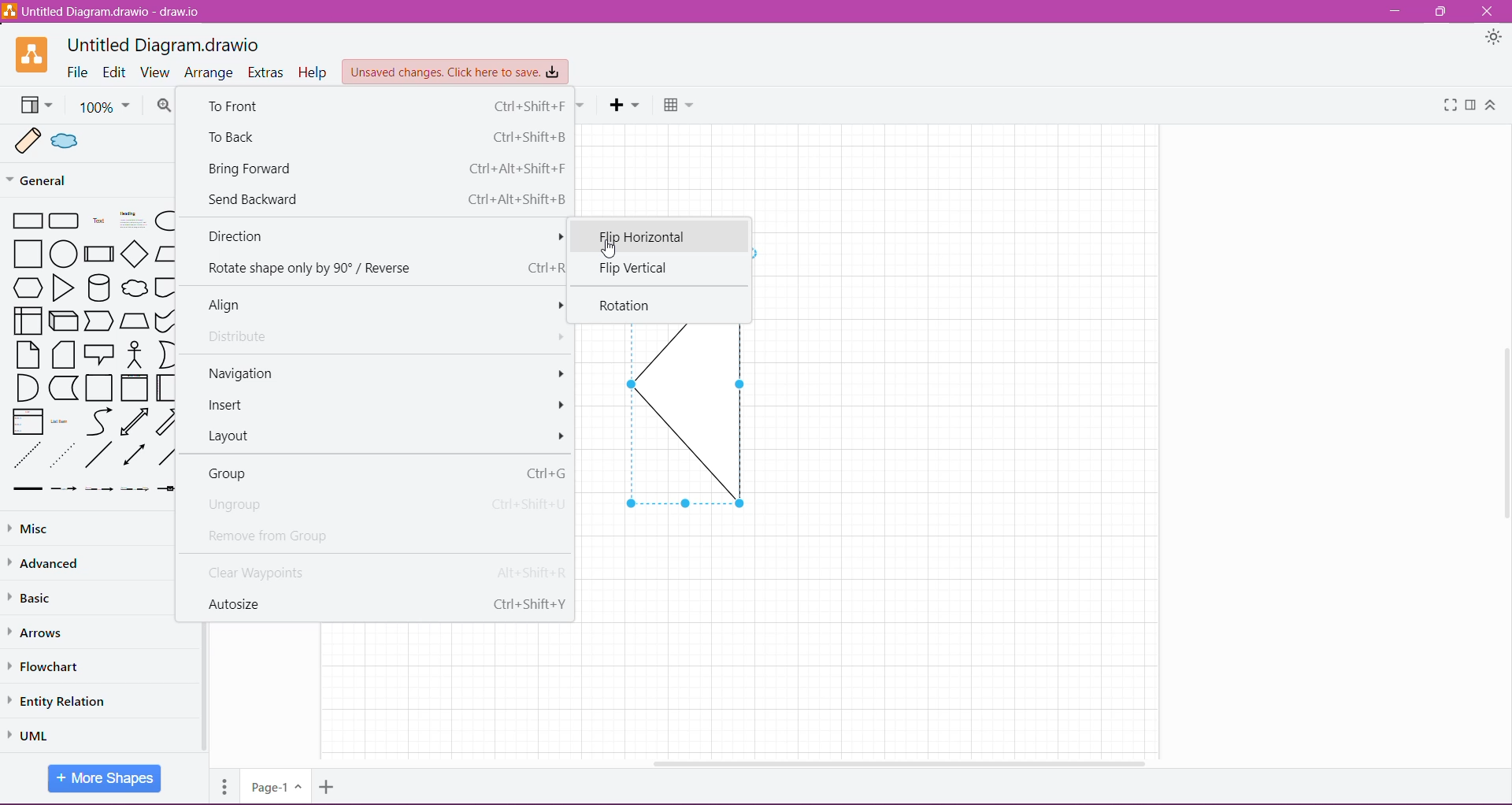 The image size is (1512, 805). What do you see at coordinates (45, 667) in the screenshot?
I see `Flowchart` at bounding box center [45, 667].